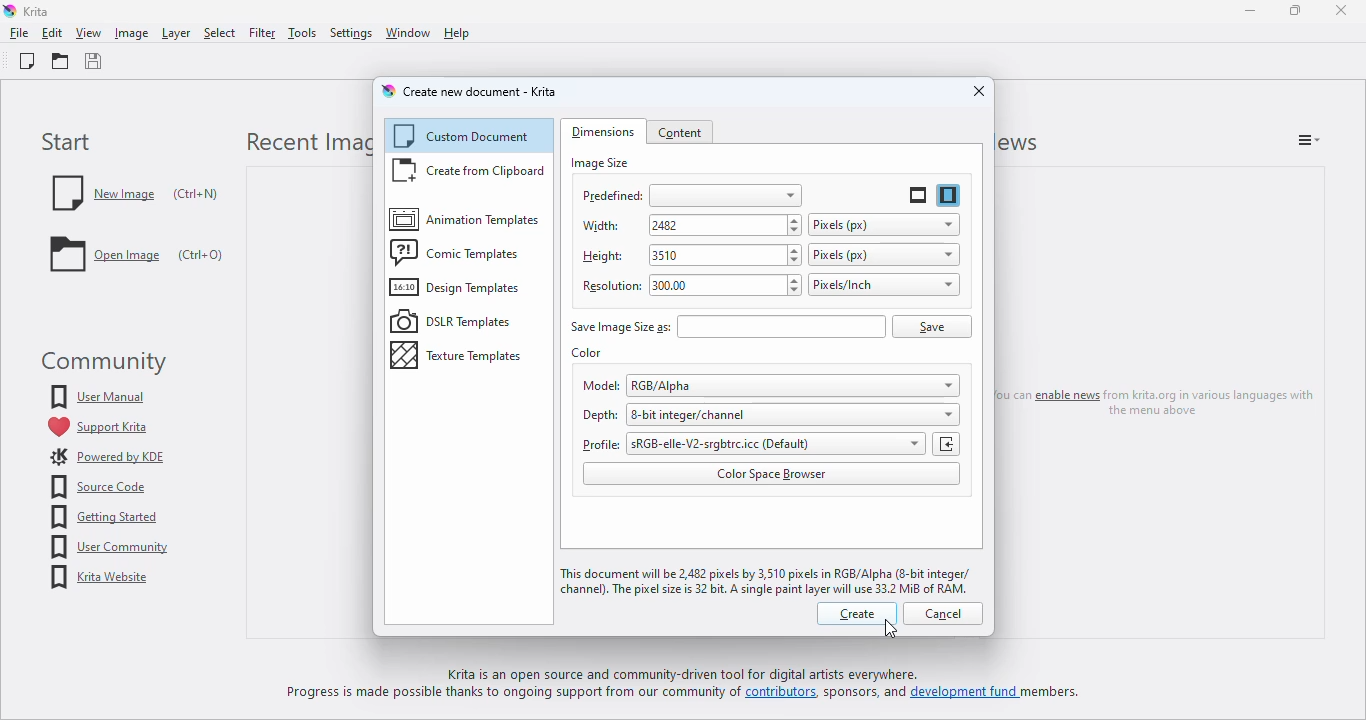 Image resolution: width=1366 pixels, height=720 pixels. Describe the element at coordinates (941, 384) in the screenshot. I see `Model drop down` at that location.